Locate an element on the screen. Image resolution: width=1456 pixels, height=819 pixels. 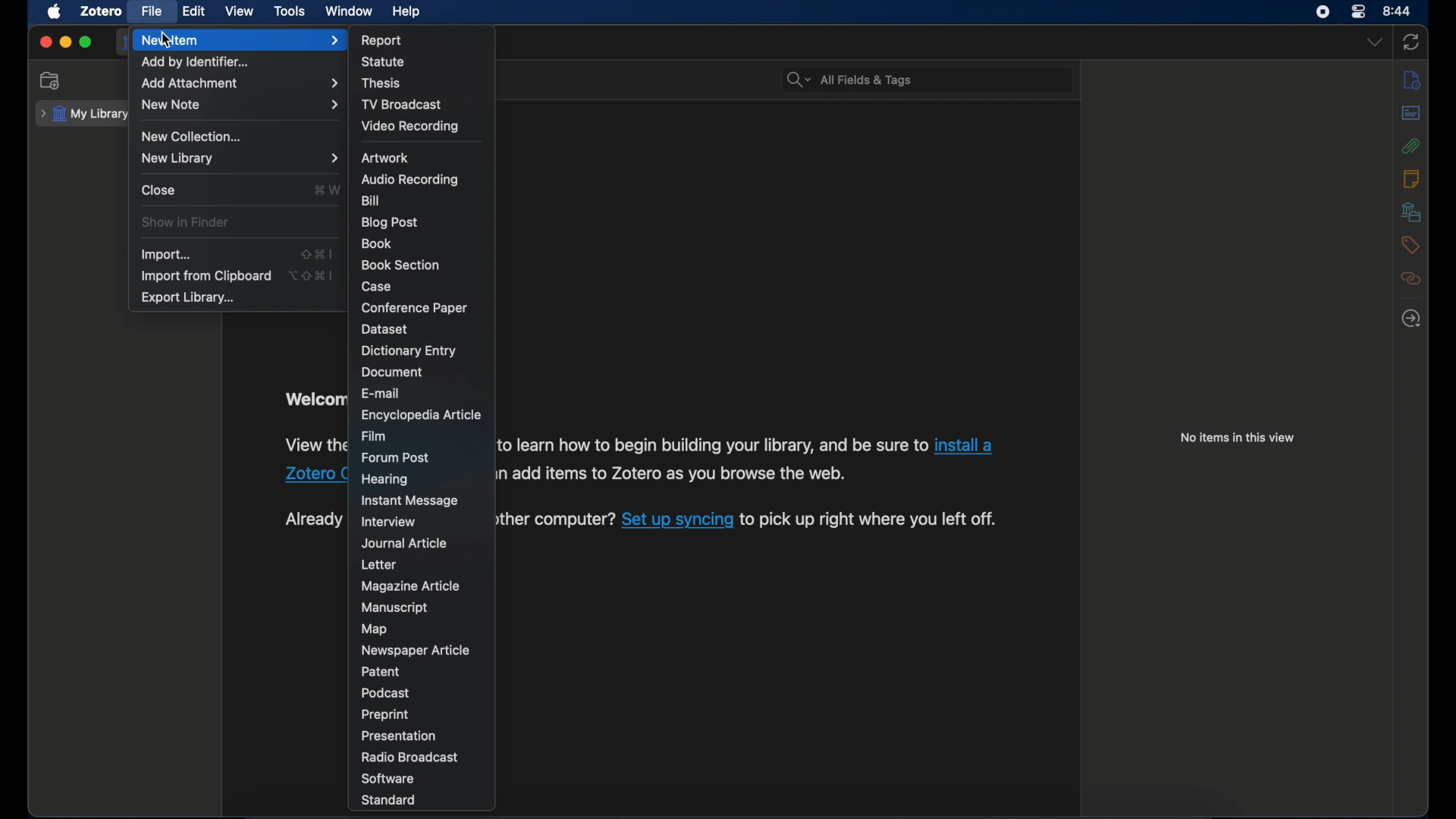
libraries is located at coordinates (1411, 212).